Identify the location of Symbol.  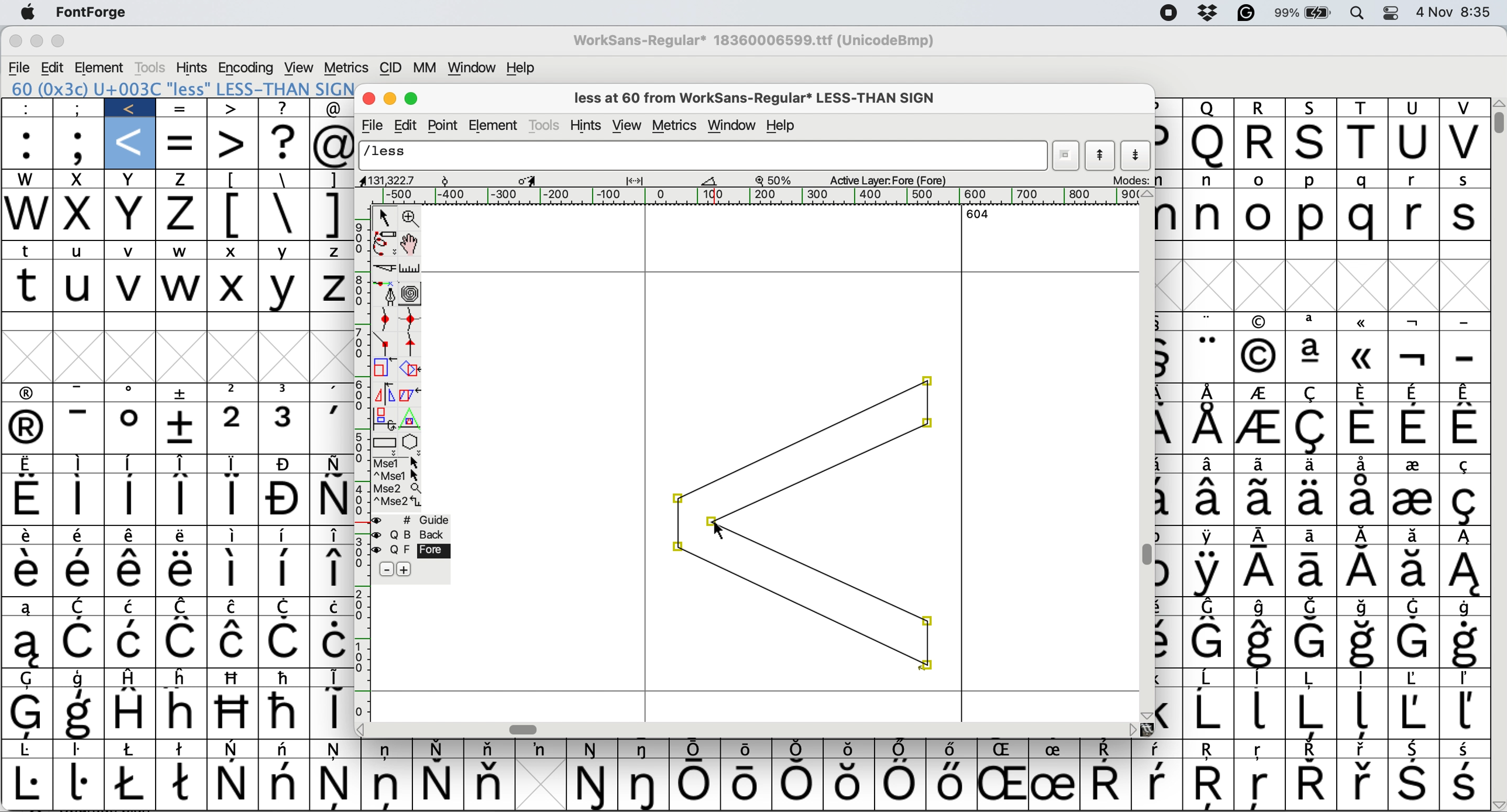
(594, 749).